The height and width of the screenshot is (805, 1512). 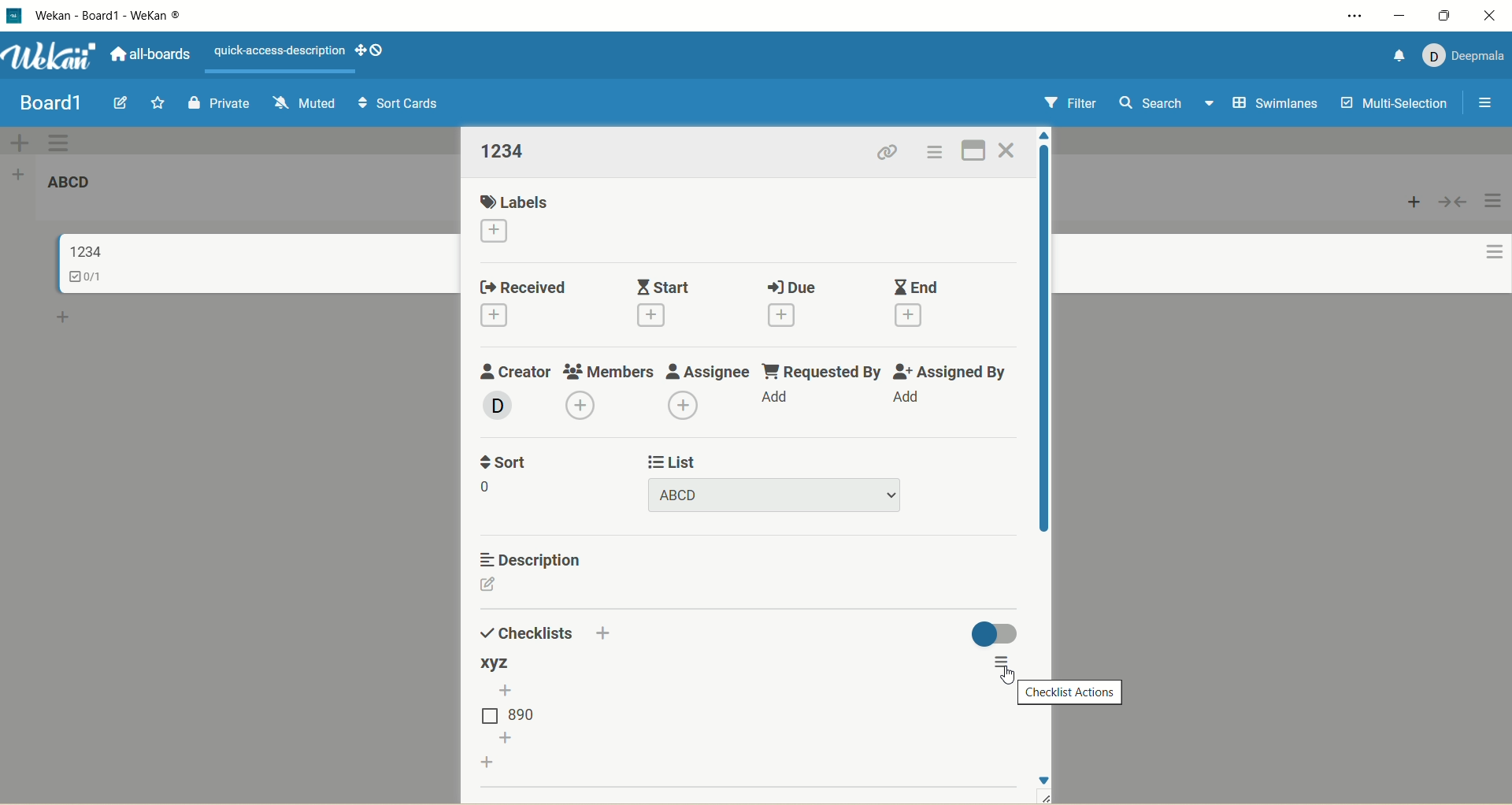 What do you see at coordinates (498, 663) in the screenshot?
I see `checklist added` at bounding box center [498, 663].